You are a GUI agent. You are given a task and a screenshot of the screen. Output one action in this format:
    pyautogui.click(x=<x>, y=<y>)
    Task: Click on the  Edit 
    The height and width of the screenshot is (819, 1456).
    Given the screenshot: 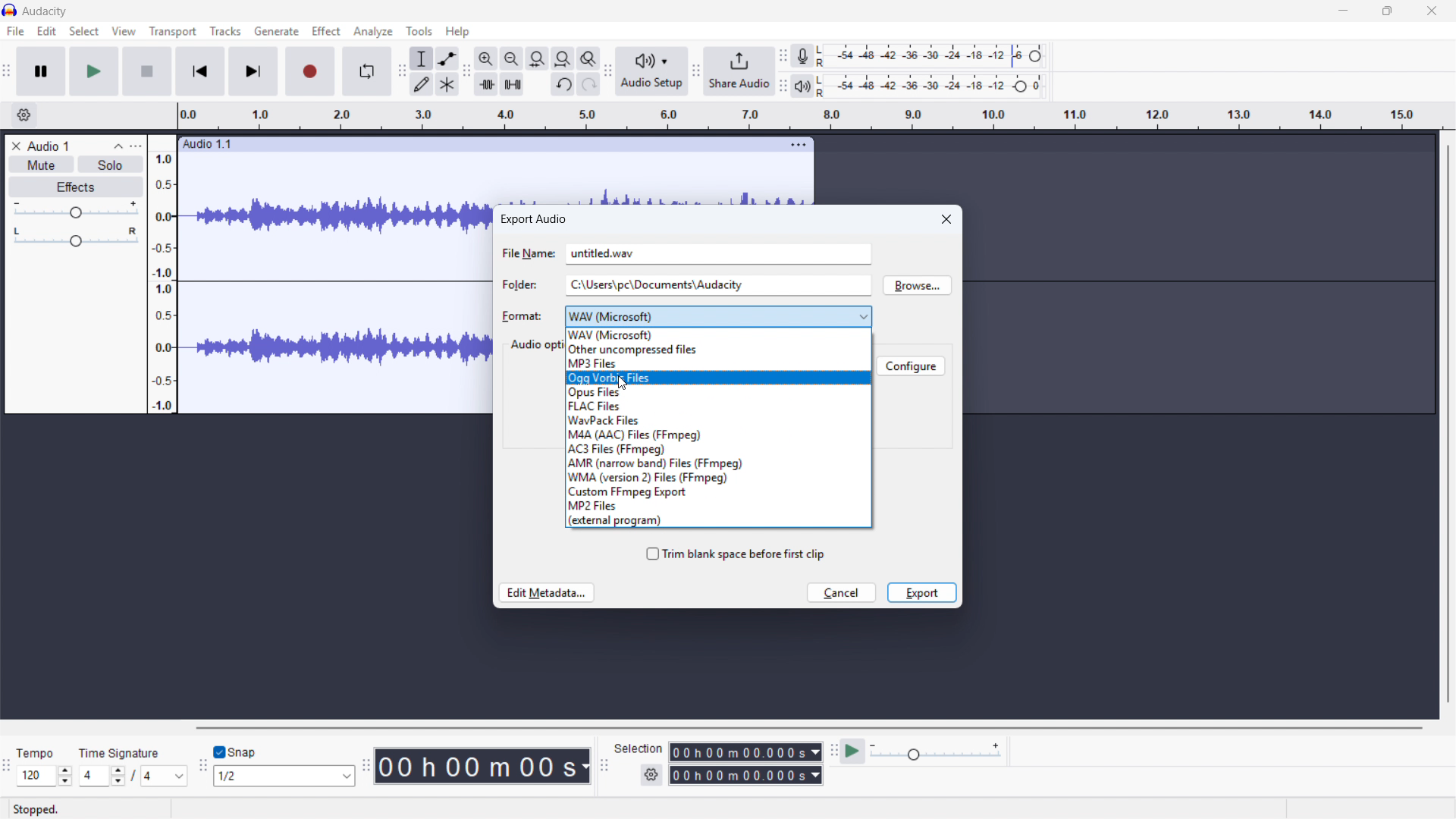 What is the action you would take?
    pyautogui.click(x=46, y=32)
    